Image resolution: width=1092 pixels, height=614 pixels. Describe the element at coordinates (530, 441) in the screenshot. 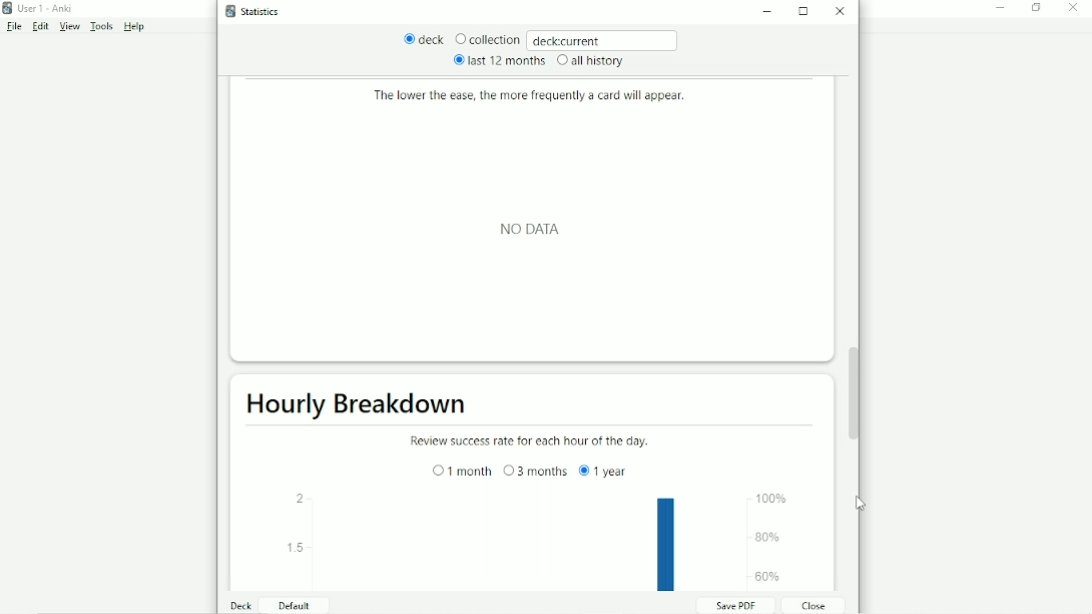

I see `Review success rate for each hour of the day. ` at that location.